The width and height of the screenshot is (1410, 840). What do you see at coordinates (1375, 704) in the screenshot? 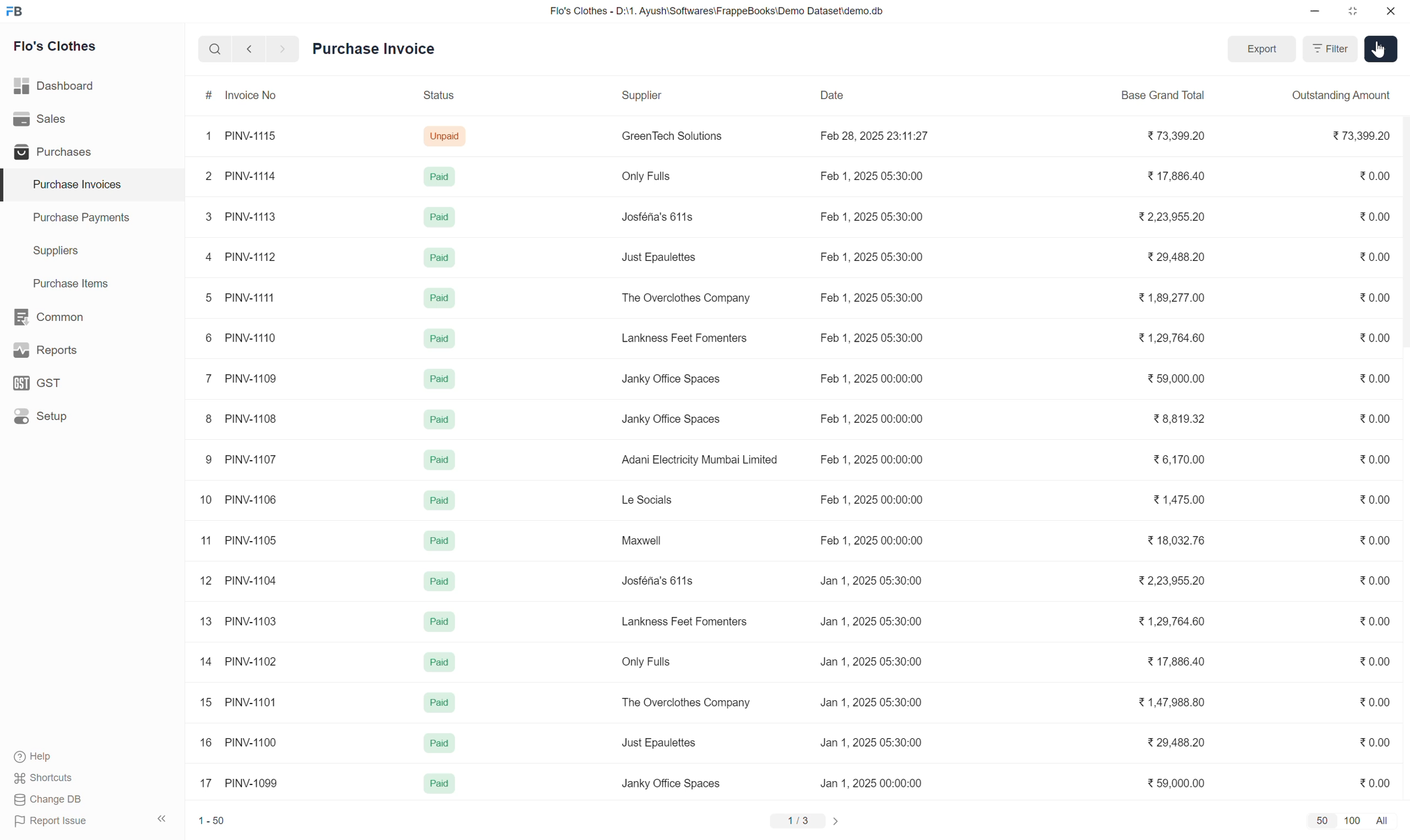
I see `0.00` at bounding box center [1375, 704].